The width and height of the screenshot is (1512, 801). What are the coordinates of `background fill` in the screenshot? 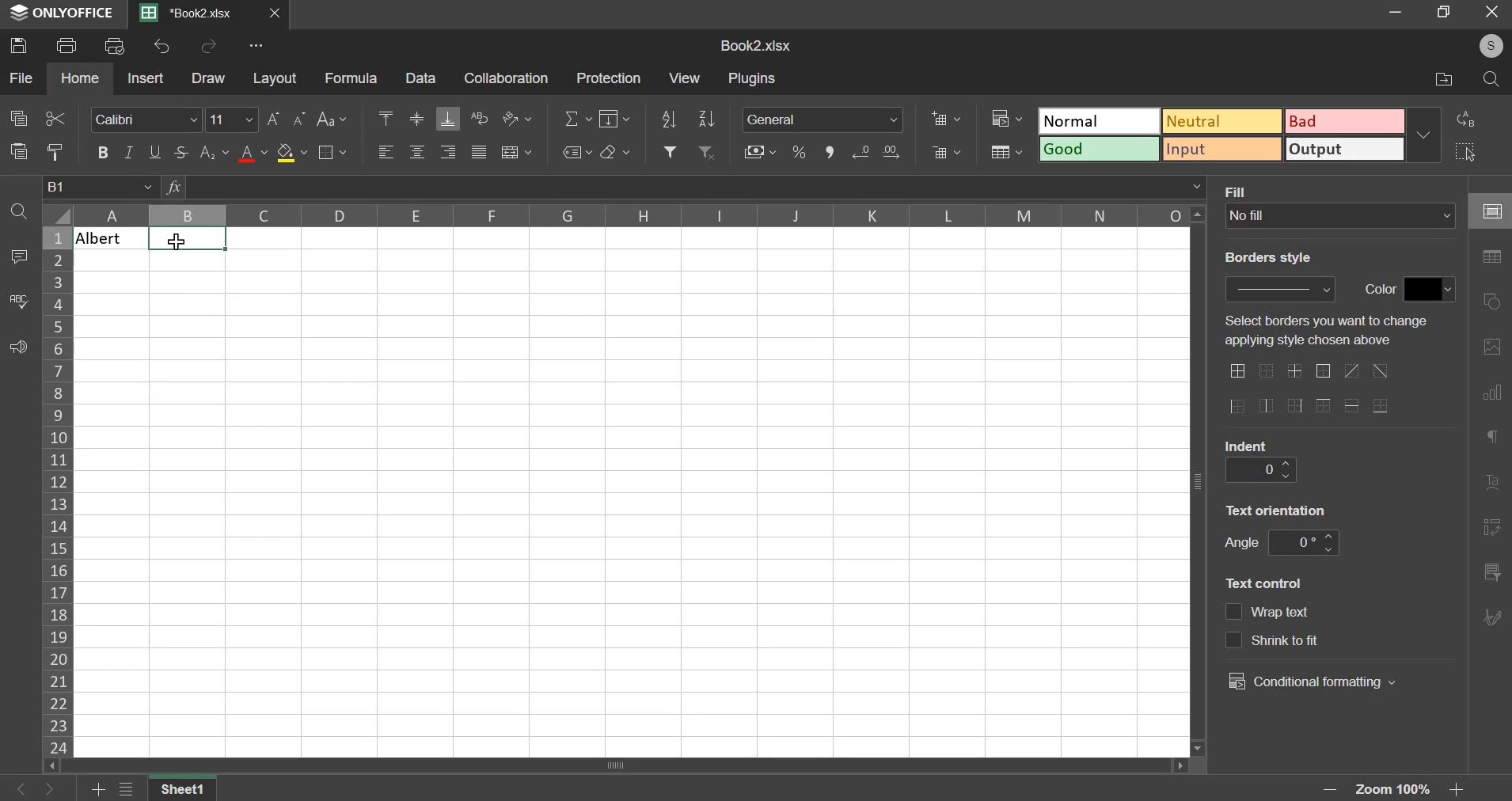 It's located at (1341, 215).